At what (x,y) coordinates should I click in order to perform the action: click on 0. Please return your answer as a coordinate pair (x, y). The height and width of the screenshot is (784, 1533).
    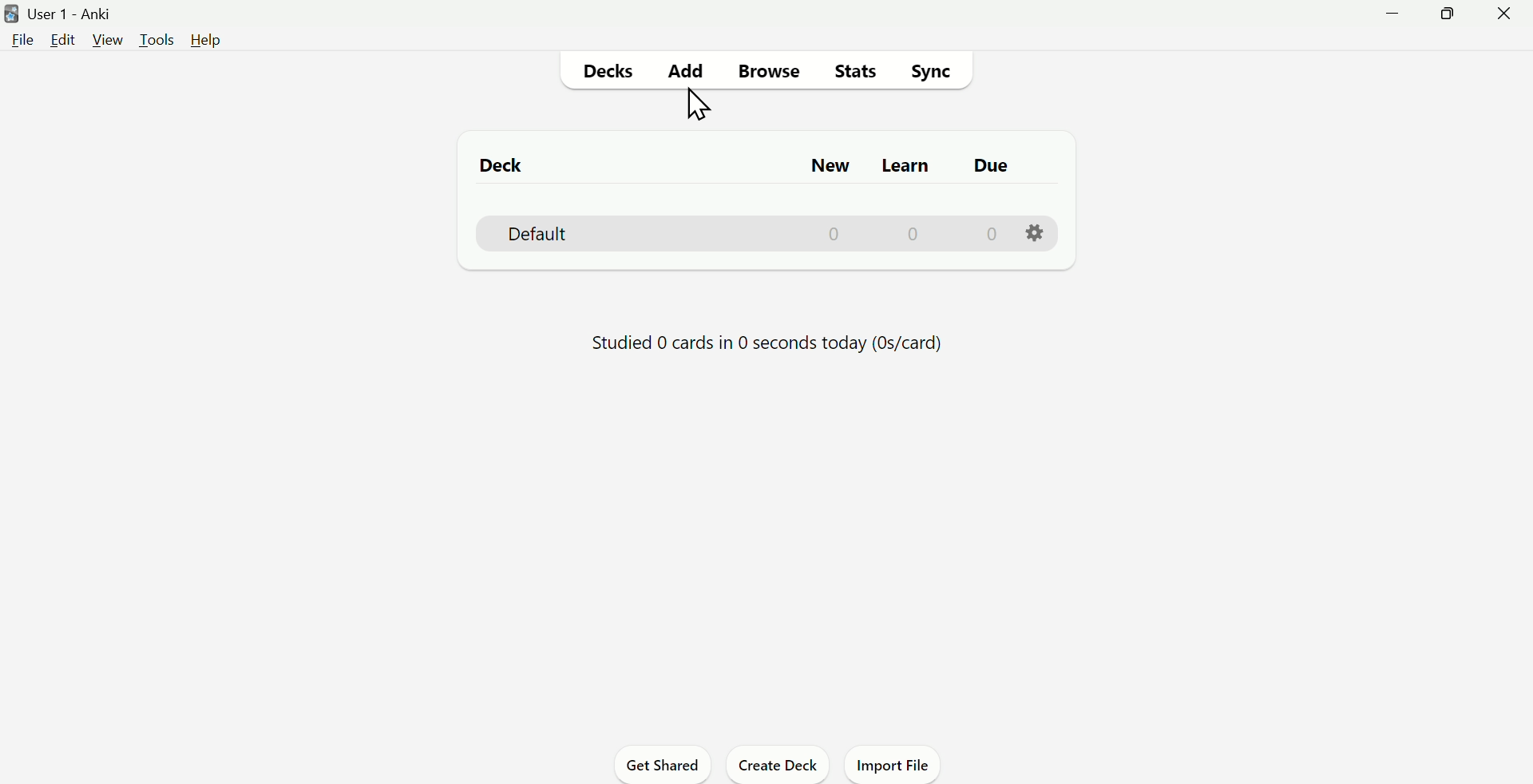
    Looking at the image, I should click on (990, 236).